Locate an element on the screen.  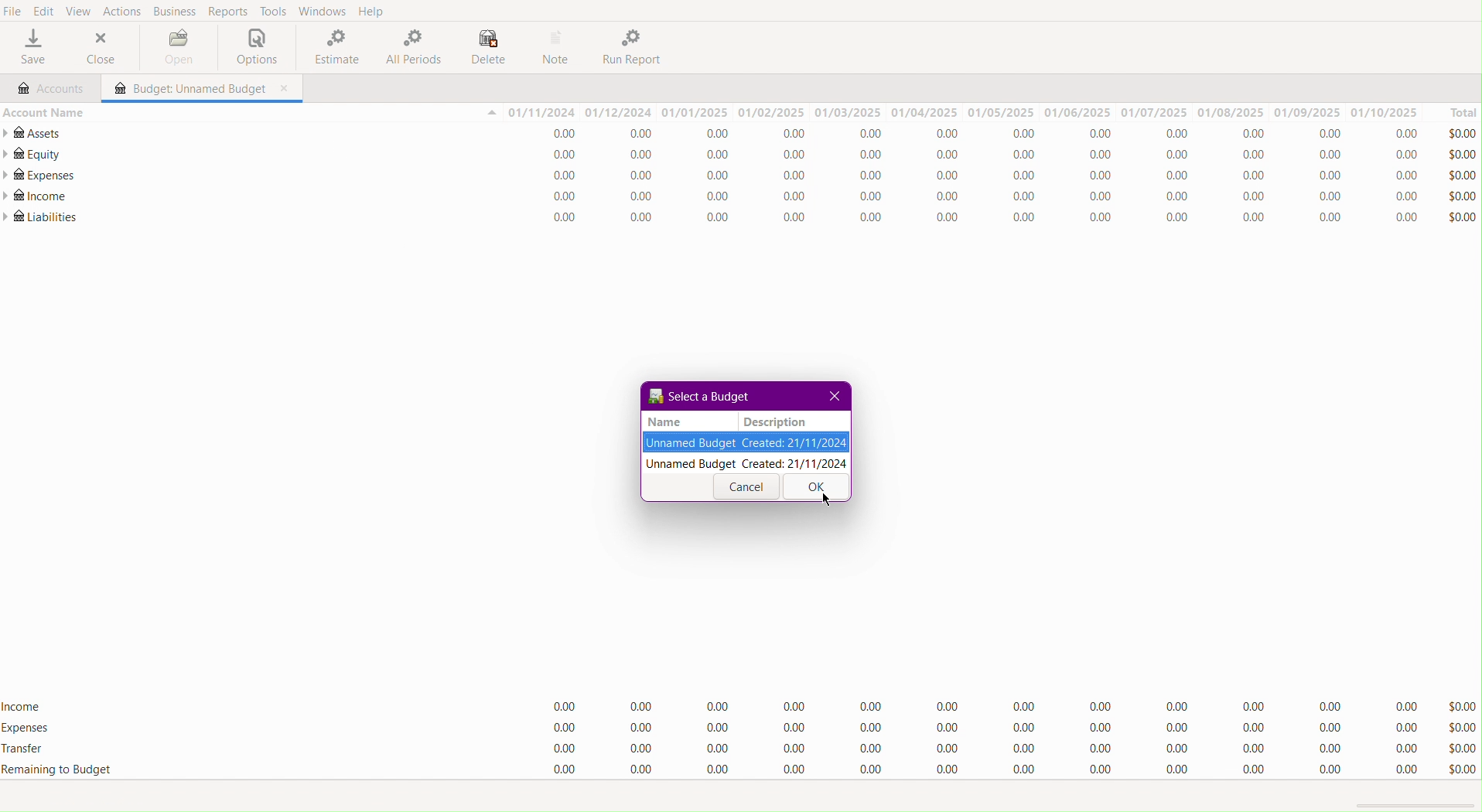
Expenses is located at coordinates (988, 728).